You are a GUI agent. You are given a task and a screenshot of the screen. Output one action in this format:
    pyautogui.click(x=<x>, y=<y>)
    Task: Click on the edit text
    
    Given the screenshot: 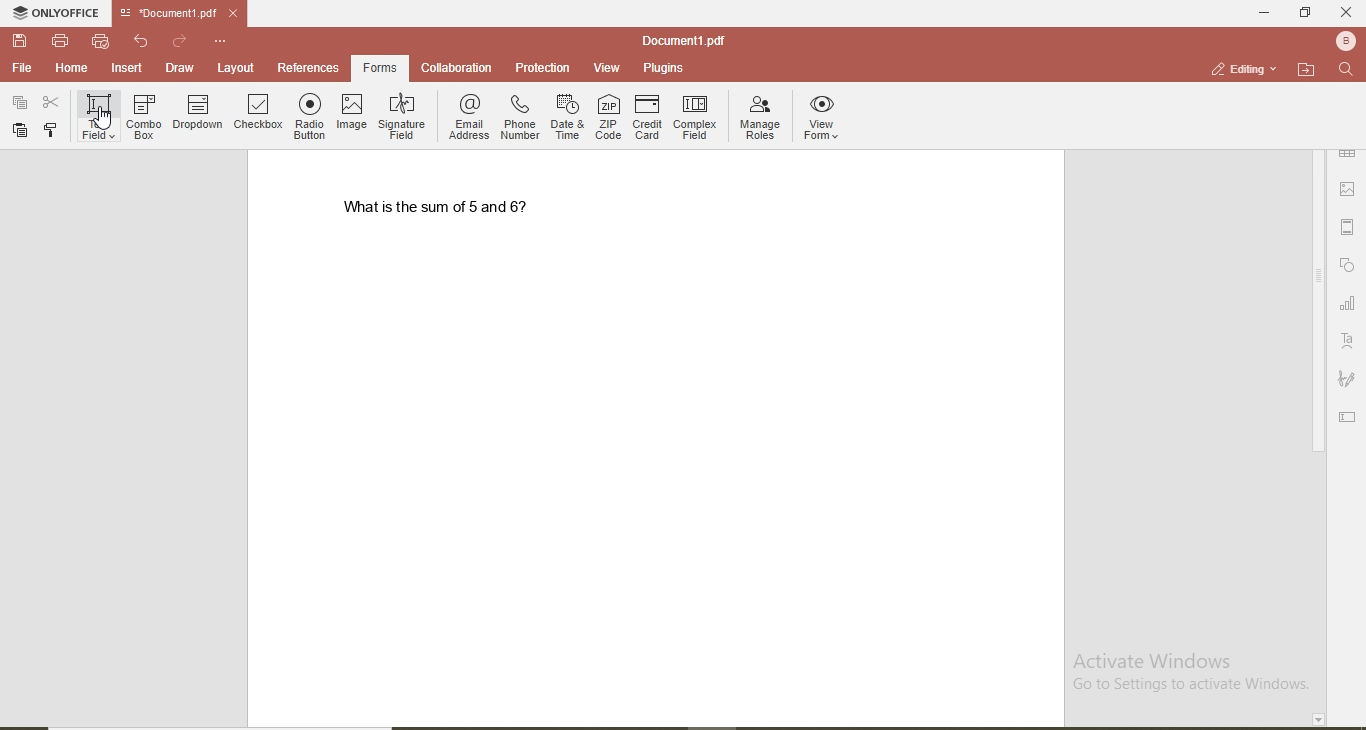 What is the action you would take?
    pyautogui.click(x=1347, y=418)
    